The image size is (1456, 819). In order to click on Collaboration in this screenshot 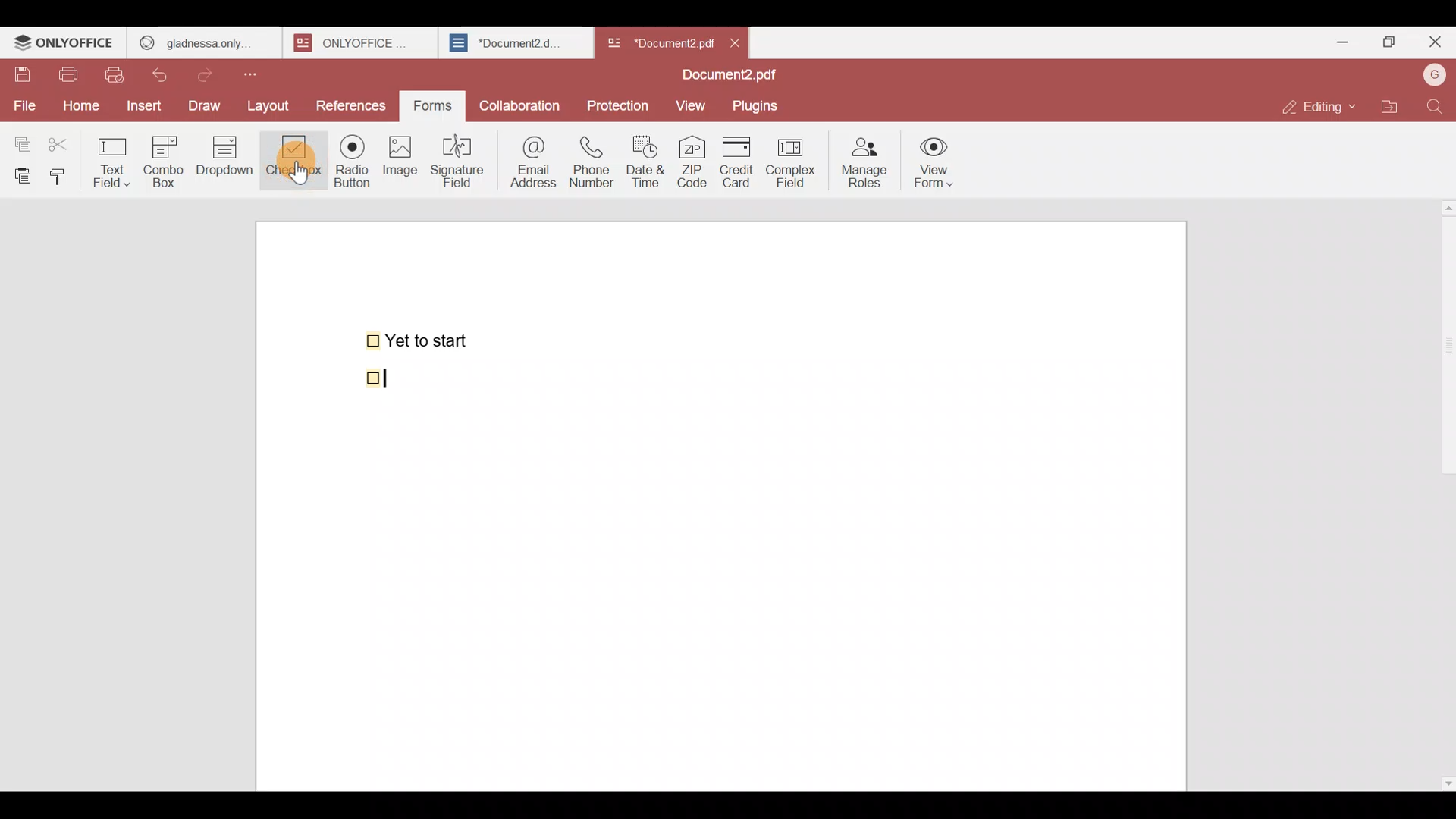, I will do `click(521, 102)`.